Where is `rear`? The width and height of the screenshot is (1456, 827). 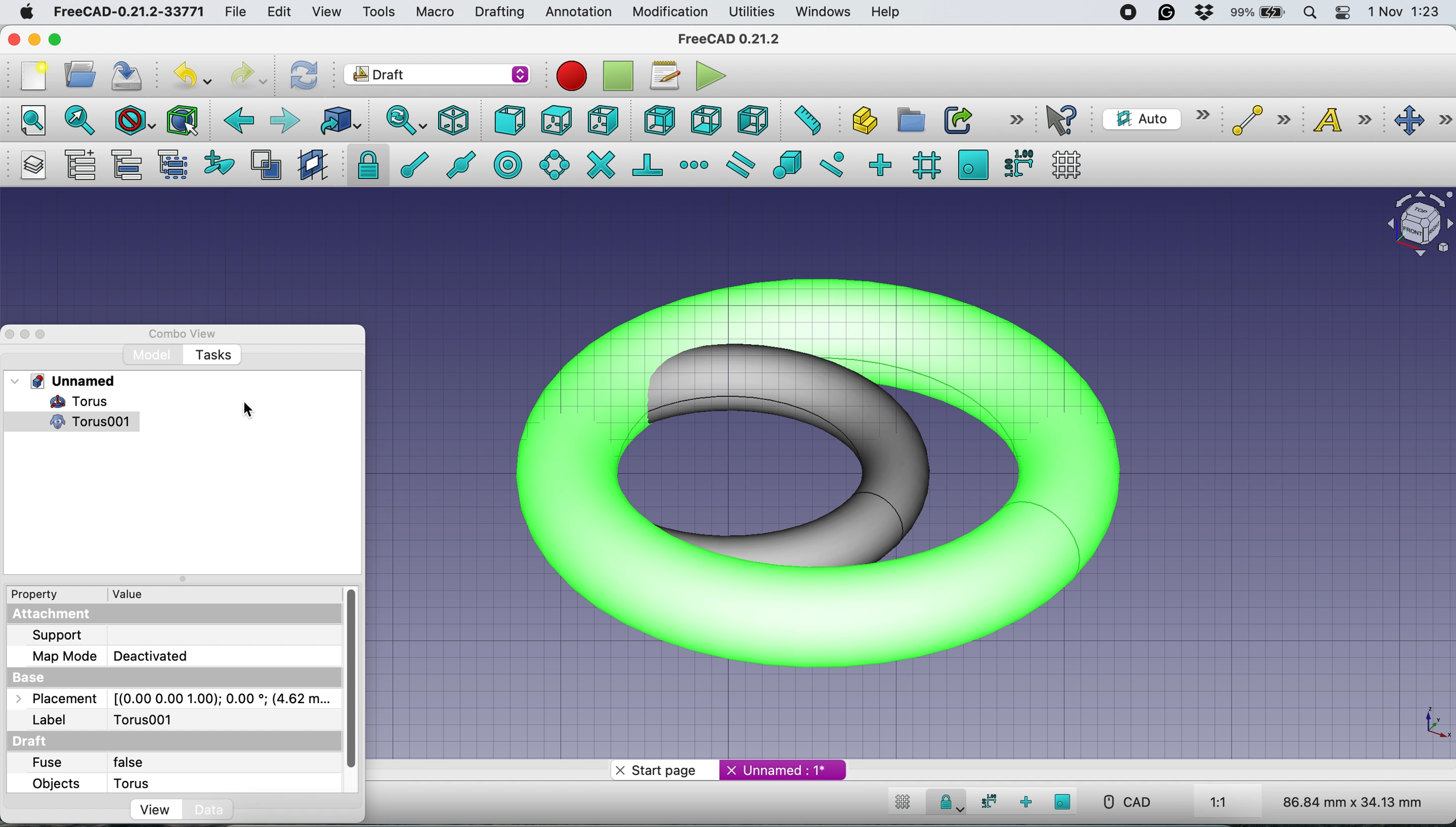 rear is located at coordinates (658, 122).